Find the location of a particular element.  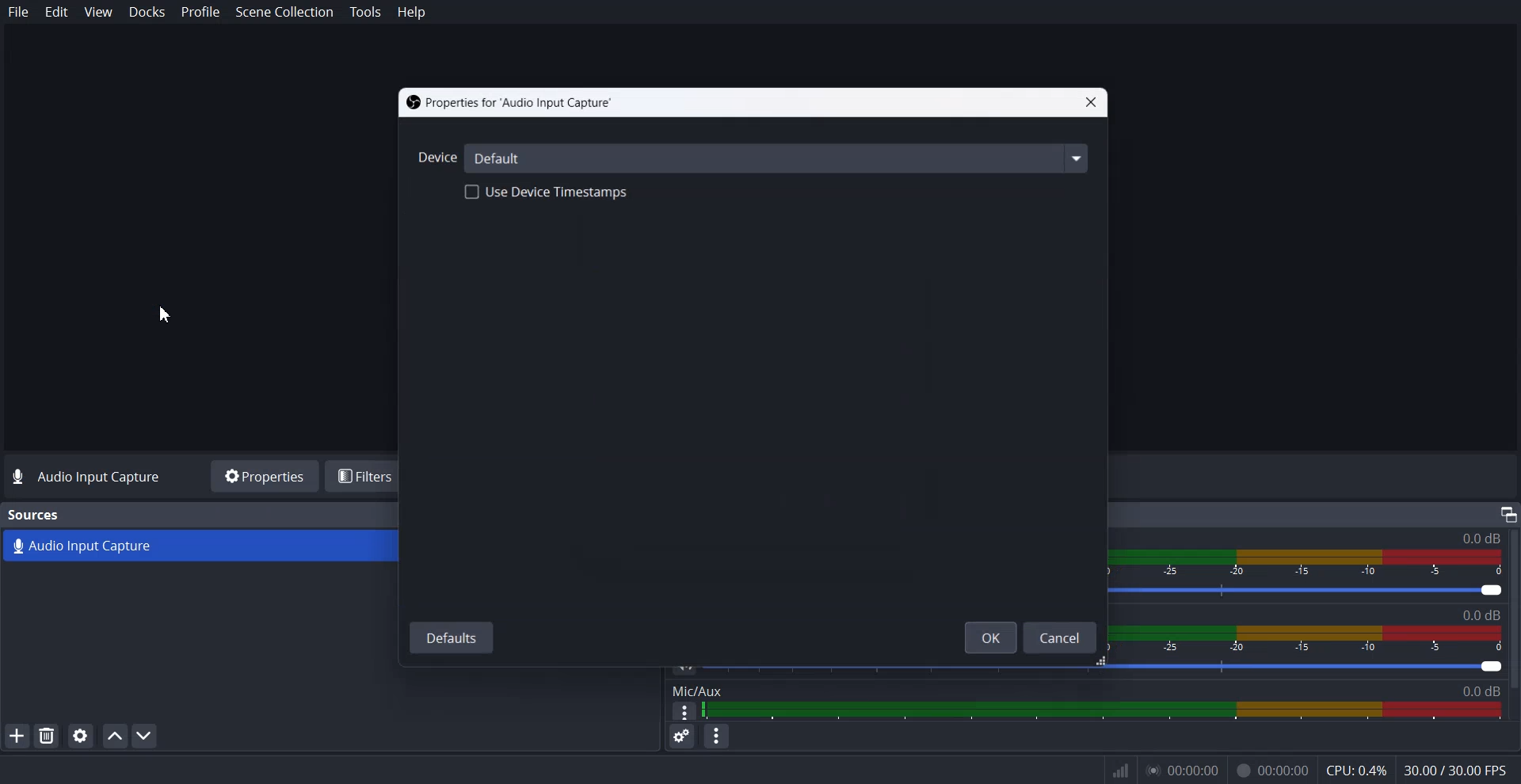

Mute is located at coordinates (686, 666).